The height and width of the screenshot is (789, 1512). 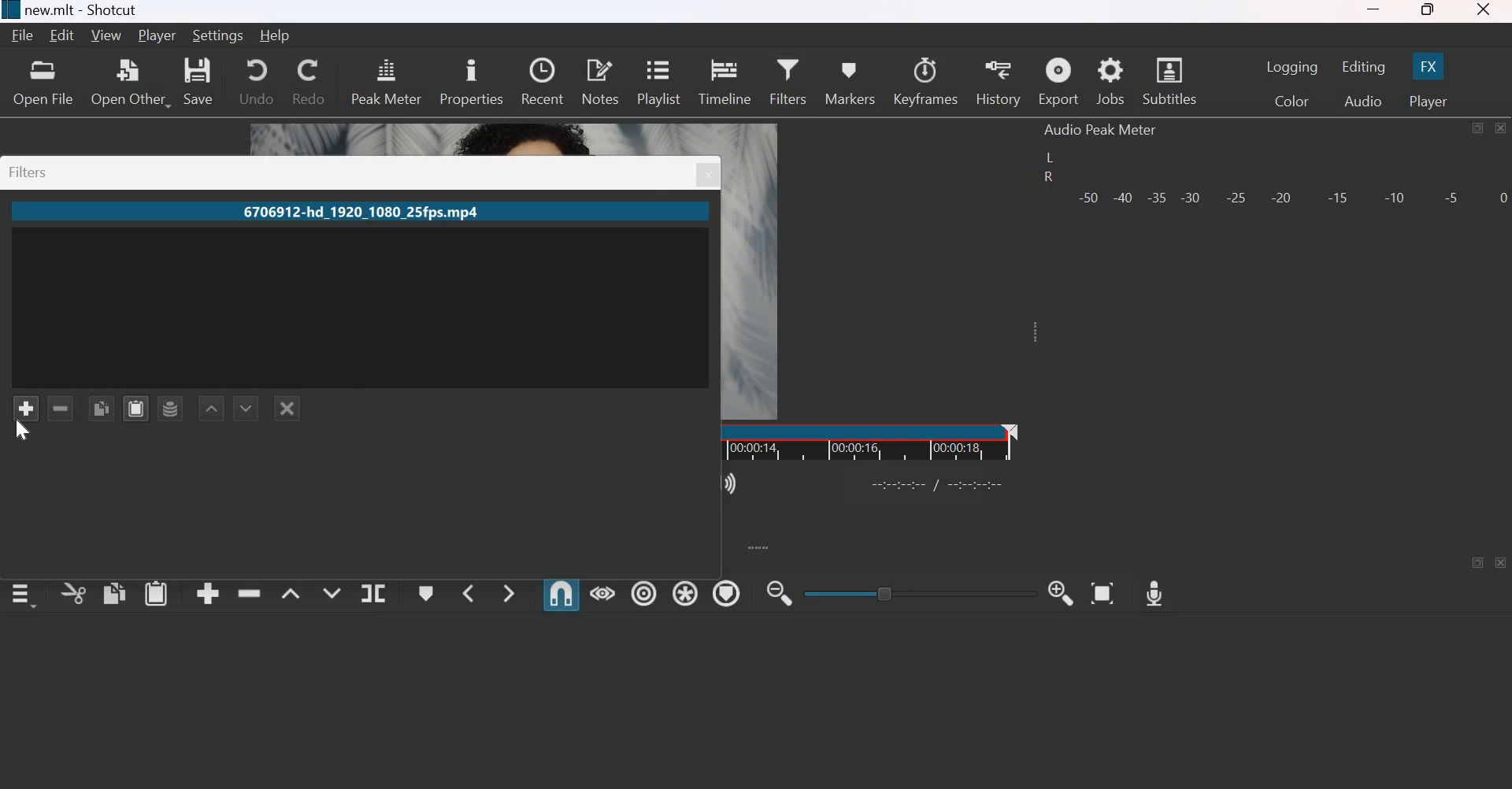 I want to click on properties, so click(x=471, y=80).